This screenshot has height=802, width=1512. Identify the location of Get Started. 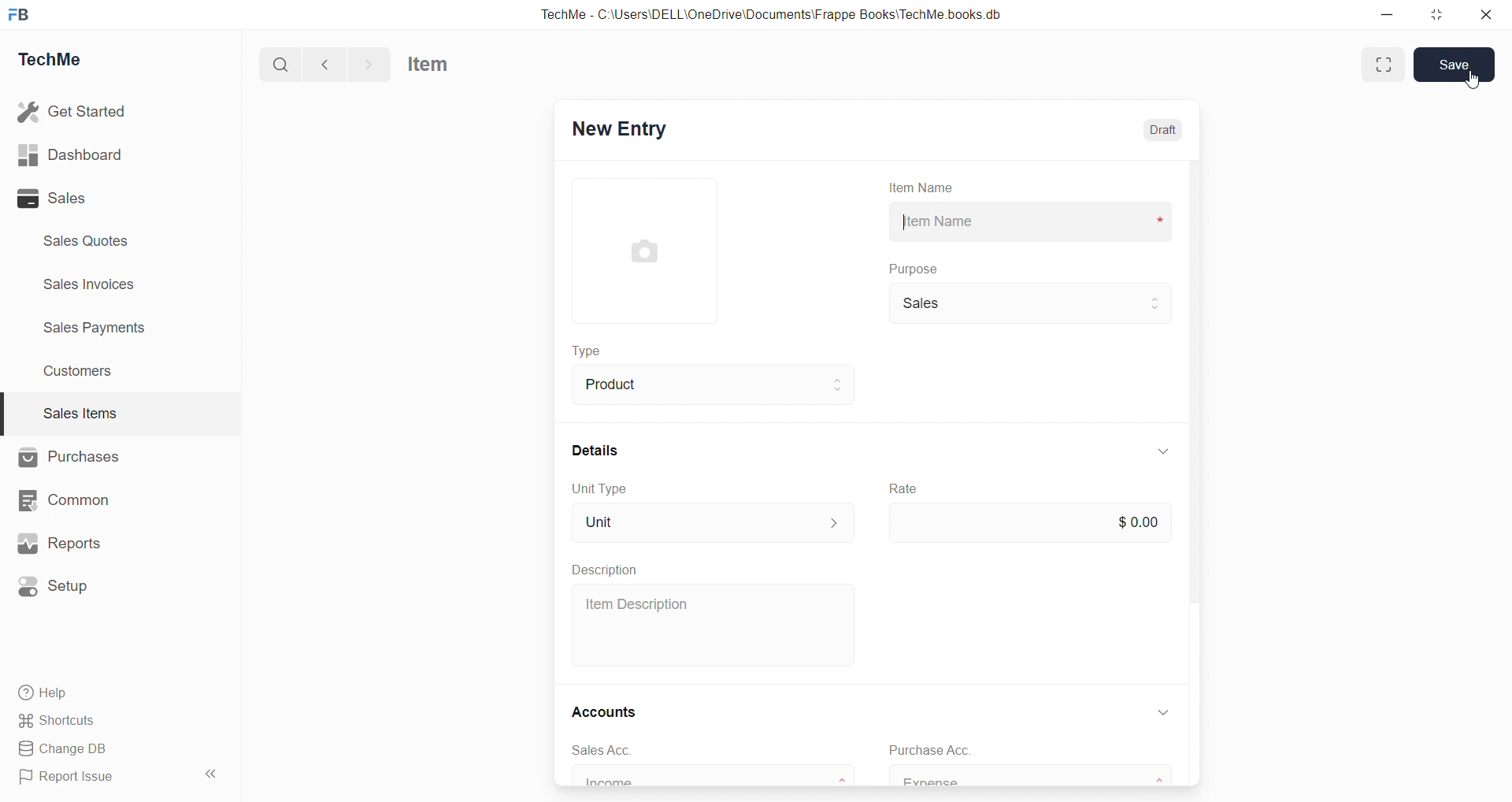
(73, 112).